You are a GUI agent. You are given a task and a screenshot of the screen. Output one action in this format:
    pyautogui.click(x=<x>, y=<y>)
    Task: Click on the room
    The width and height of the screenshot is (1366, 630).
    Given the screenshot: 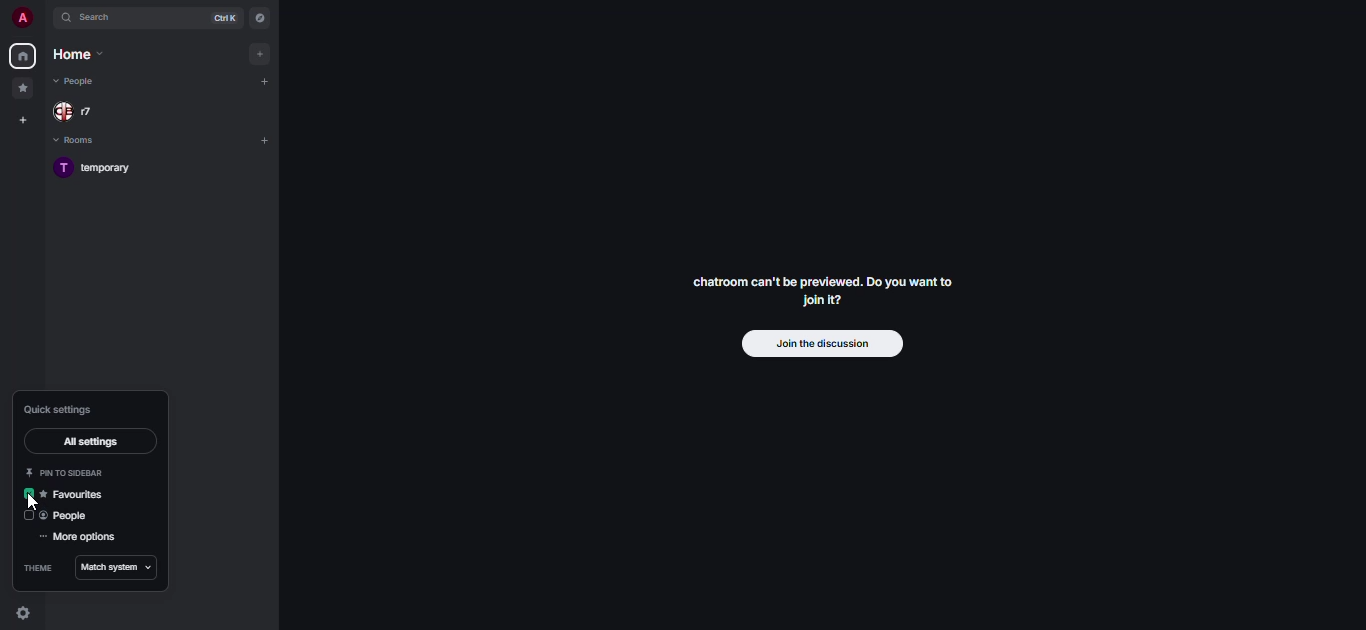 What is the action you would take?
    pyautogui.click(x=98, y=169)
    